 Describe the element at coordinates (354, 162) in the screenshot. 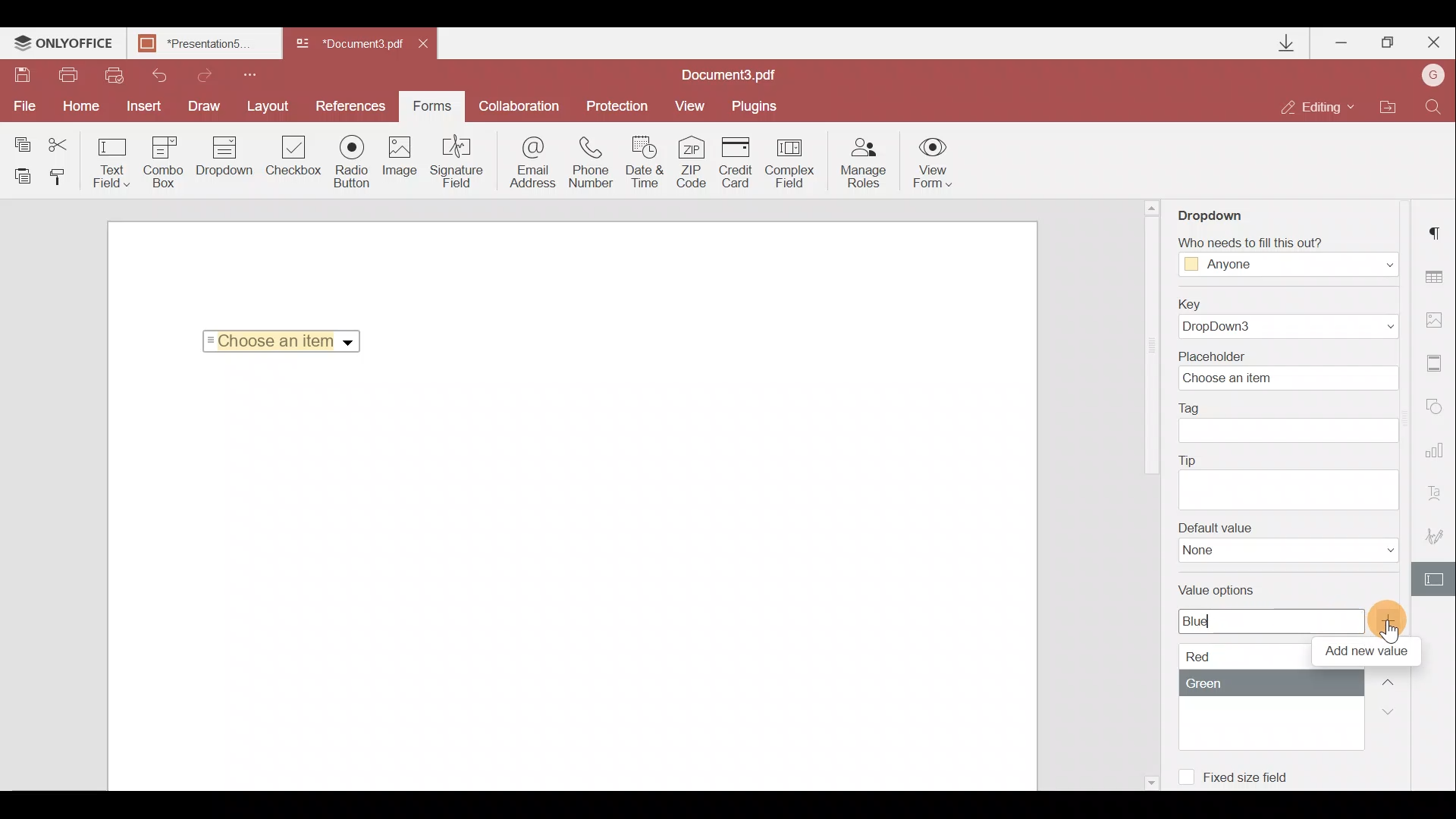

I see `Radio` at that location.